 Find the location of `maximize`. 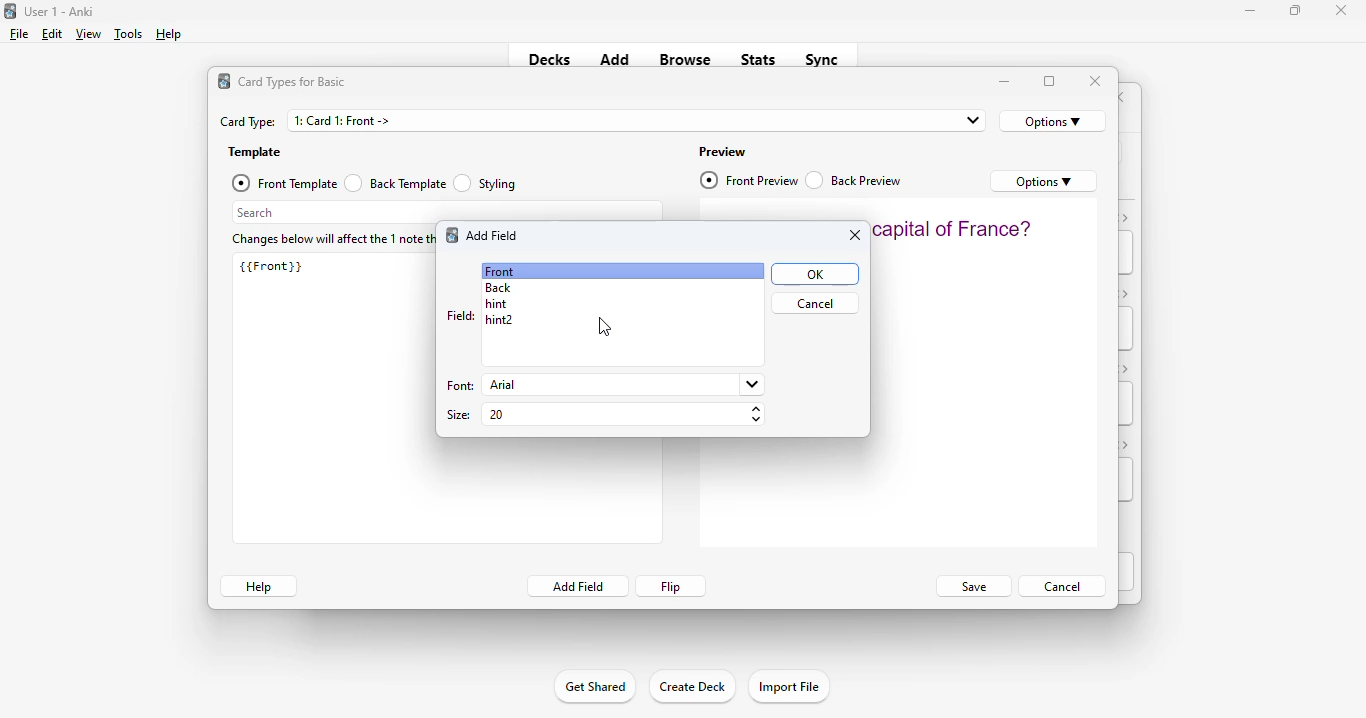

maximize is located at coordinates (1295, 9).